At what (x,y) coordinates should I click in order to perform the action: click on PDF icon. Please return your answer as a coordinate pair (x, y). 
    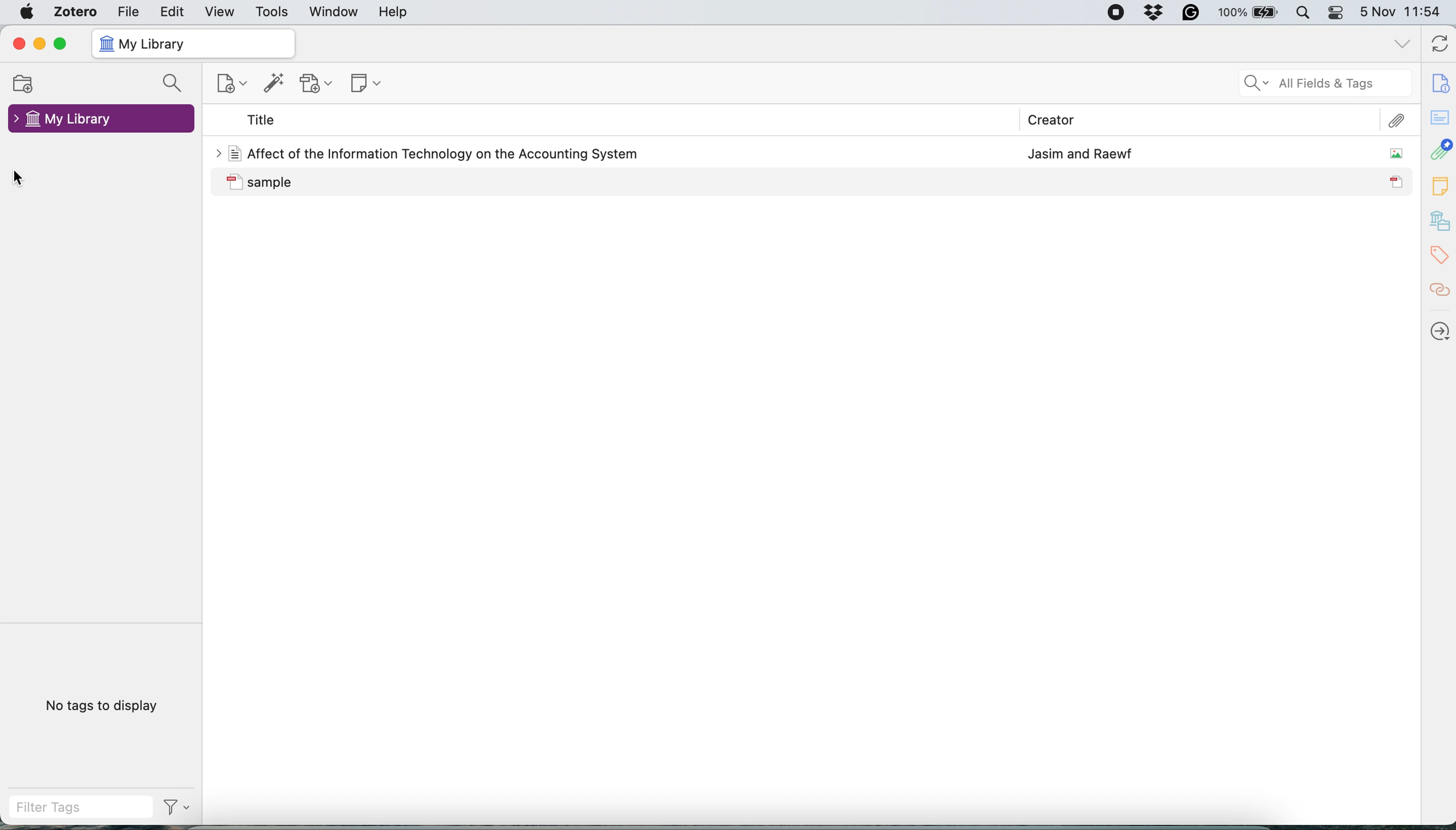
    Looking at the image, I should click on (1397, 184).